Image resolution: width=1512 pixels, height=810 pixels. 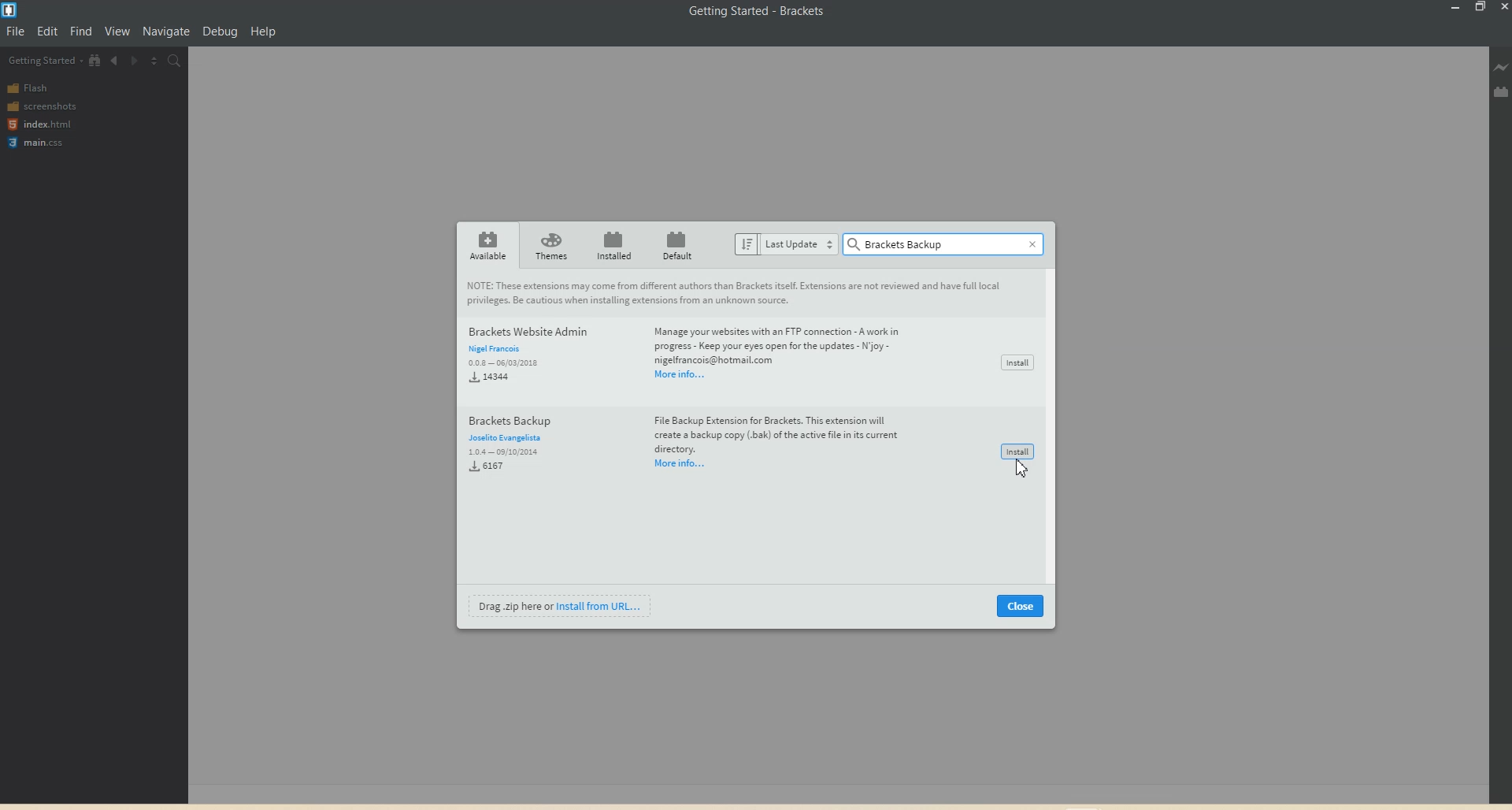 I want to click on Install, so click(x=1017, y=359).